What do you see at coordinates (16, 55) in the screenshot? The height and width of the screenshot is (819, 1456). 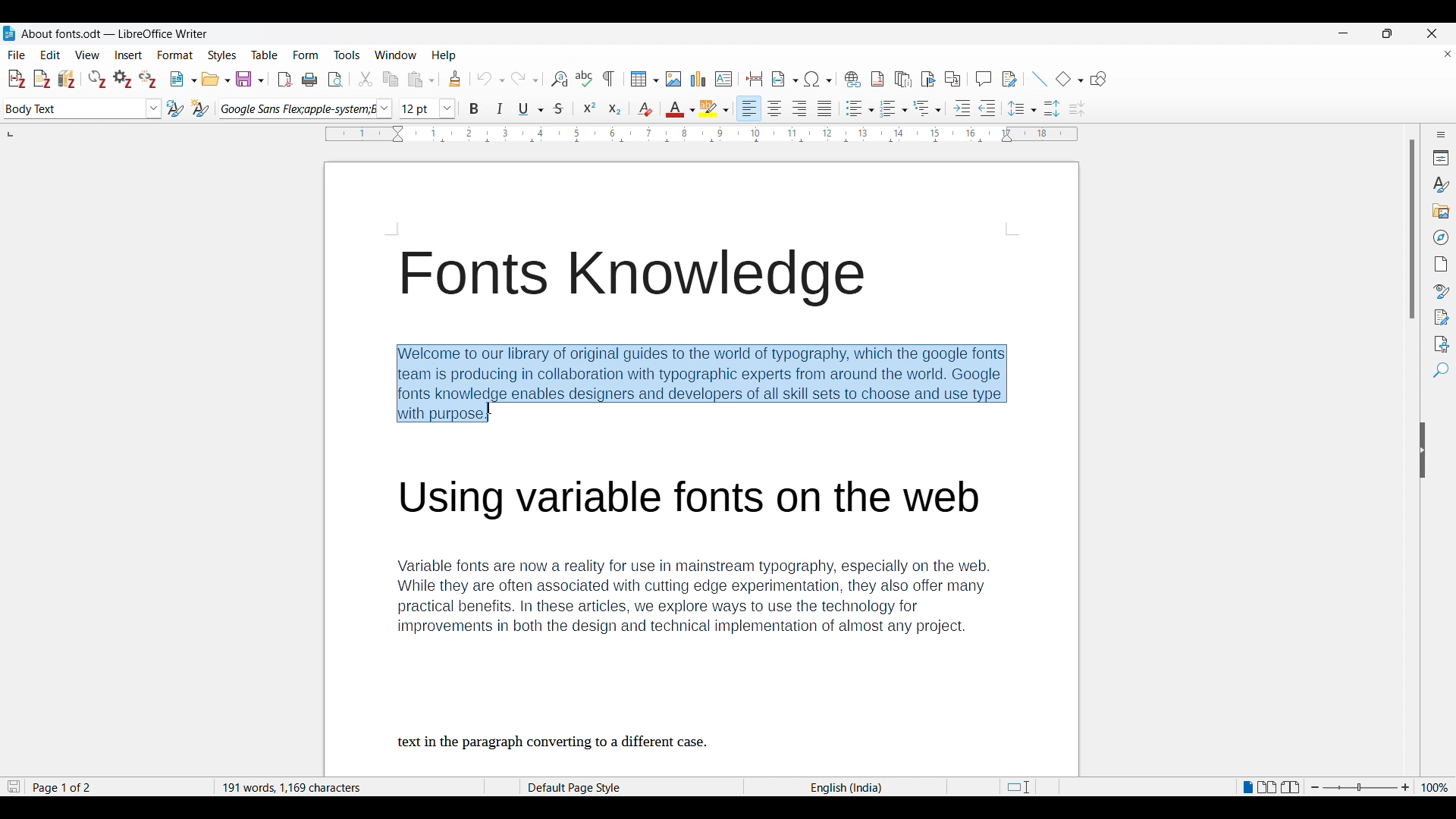 I see `File menu` at bounding box center [16, 55].